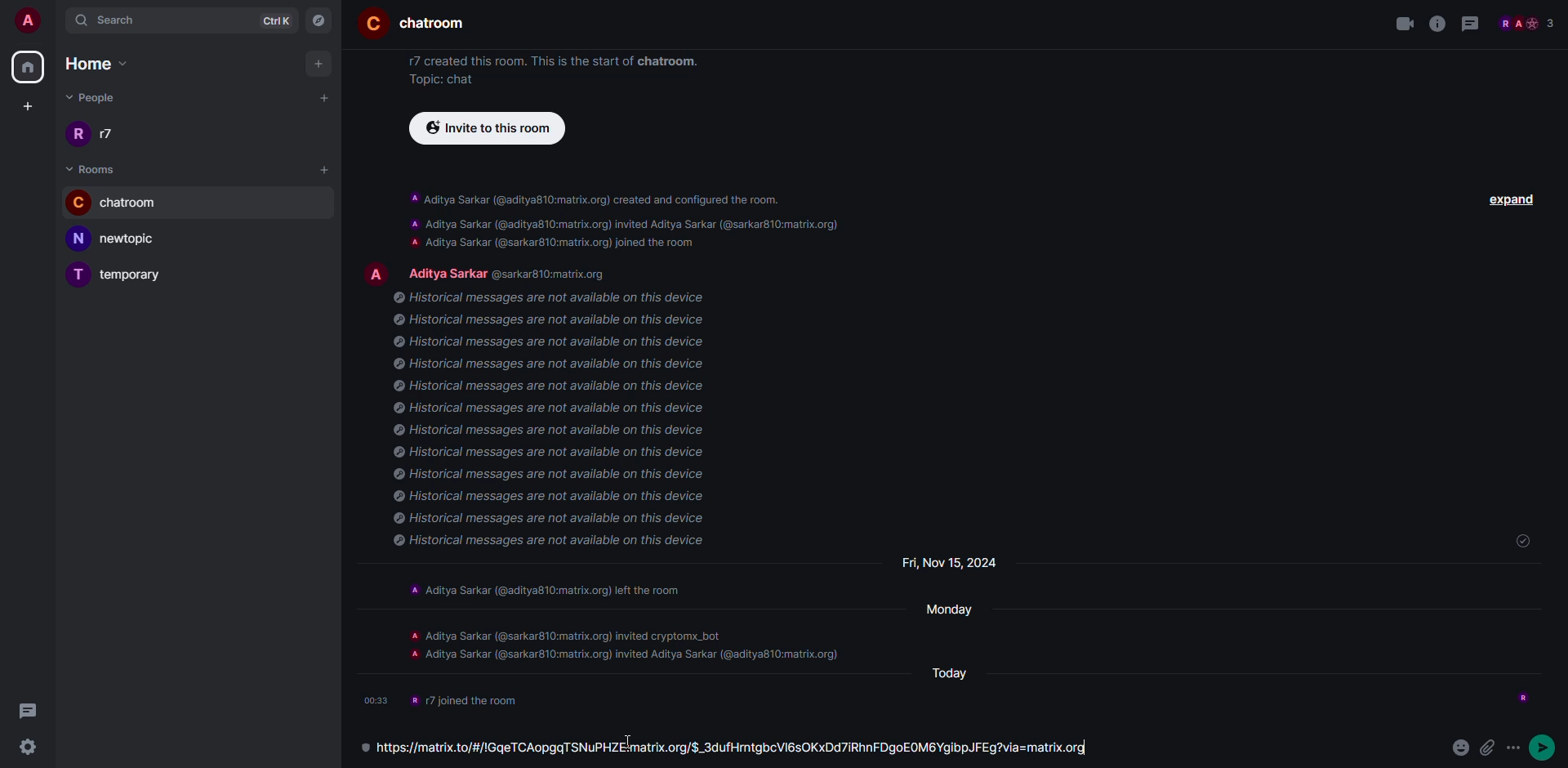 This screenshot has width=1568, height=768. Describe the element at coordinates (948, 608) in the screenshot. I see `day` at that location.